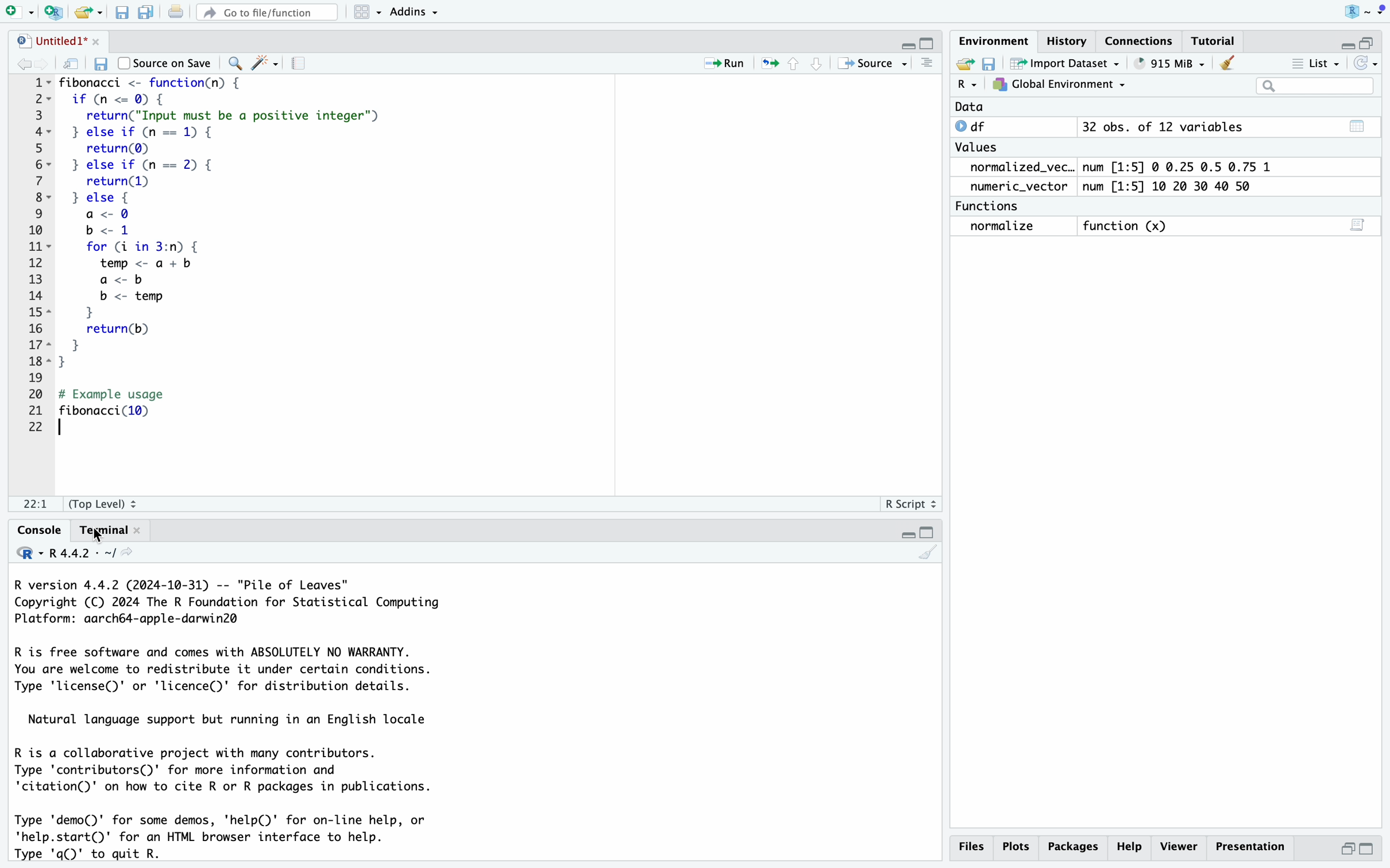 The height and width of the screenshot is (868, 1390). I want to click on numeric_vector, so click(1016, 187).